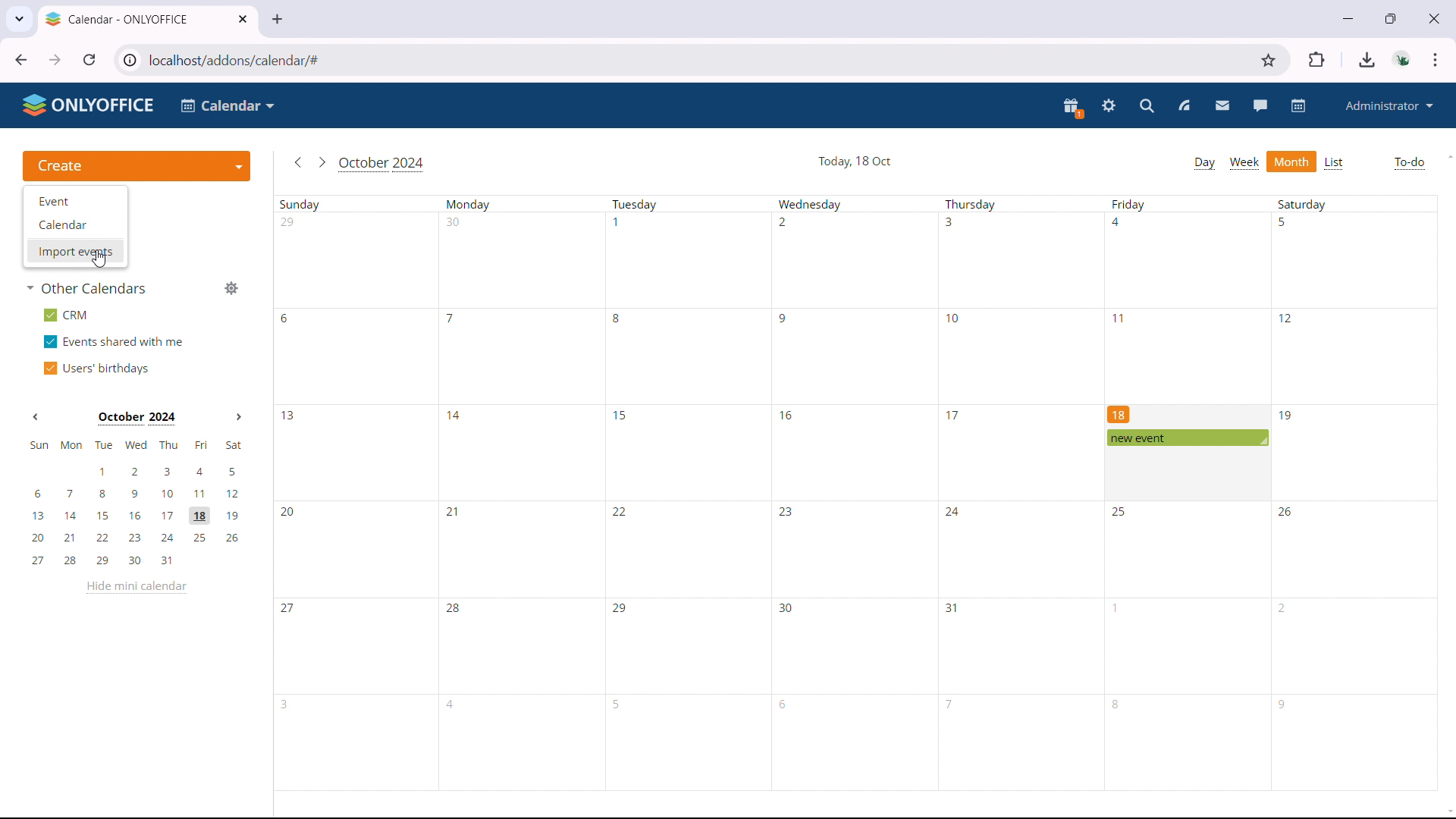  I want to click on week, so click(1244, 164).